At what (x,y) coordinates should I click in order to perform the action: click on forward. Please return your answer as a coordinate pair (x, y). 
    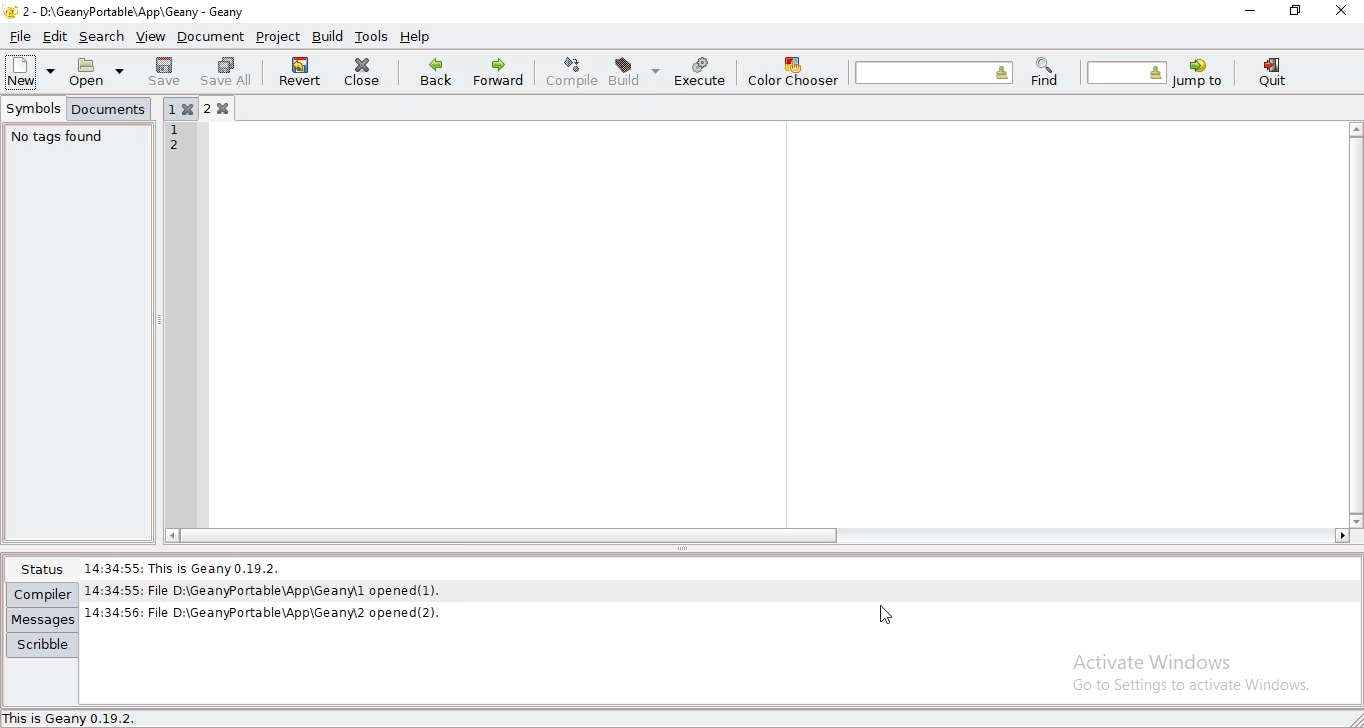
    Looking at the image, I should click on (502, 71).